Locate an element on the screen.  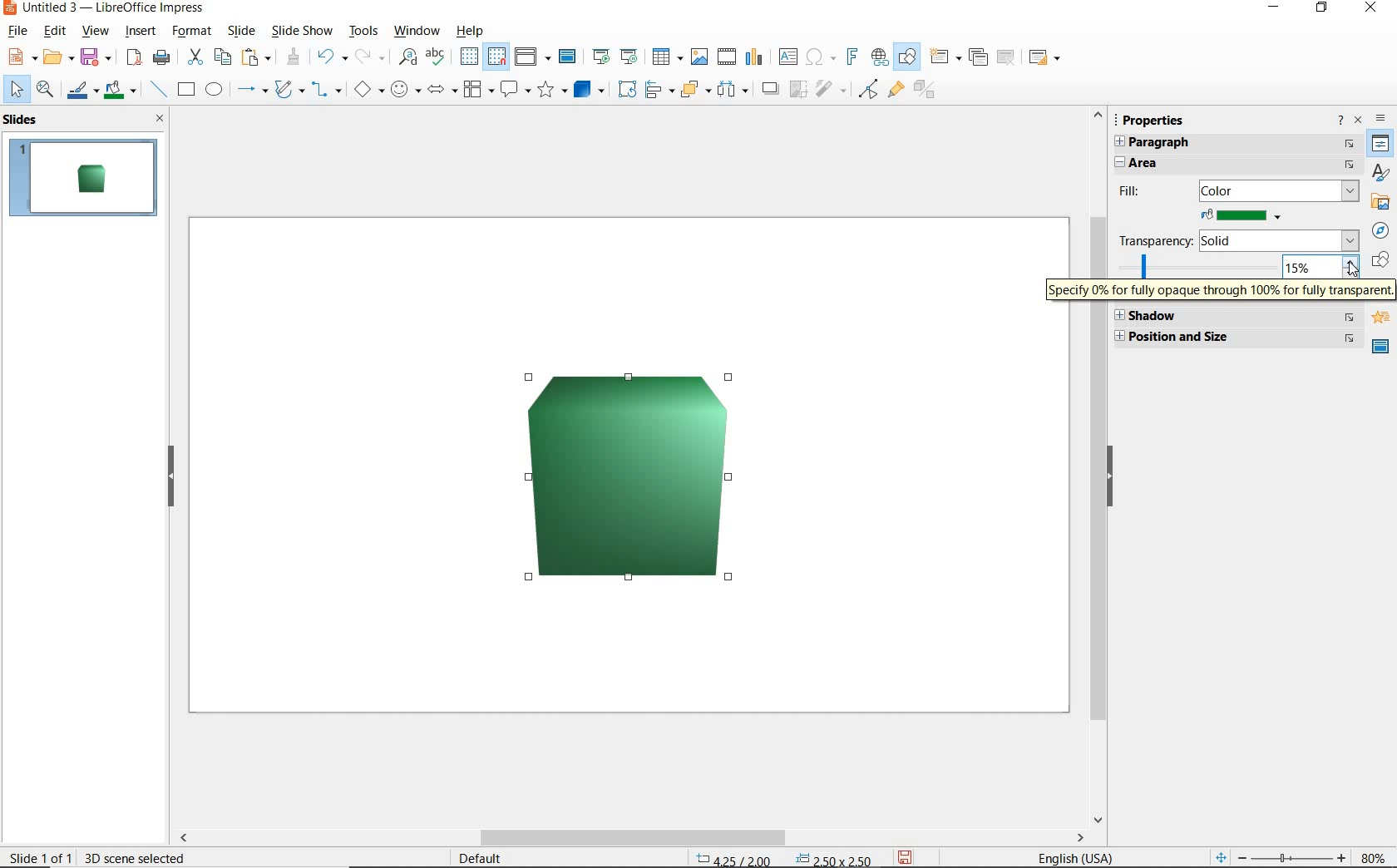
NAVIGGATOR is located at coordinates (1381, 231).